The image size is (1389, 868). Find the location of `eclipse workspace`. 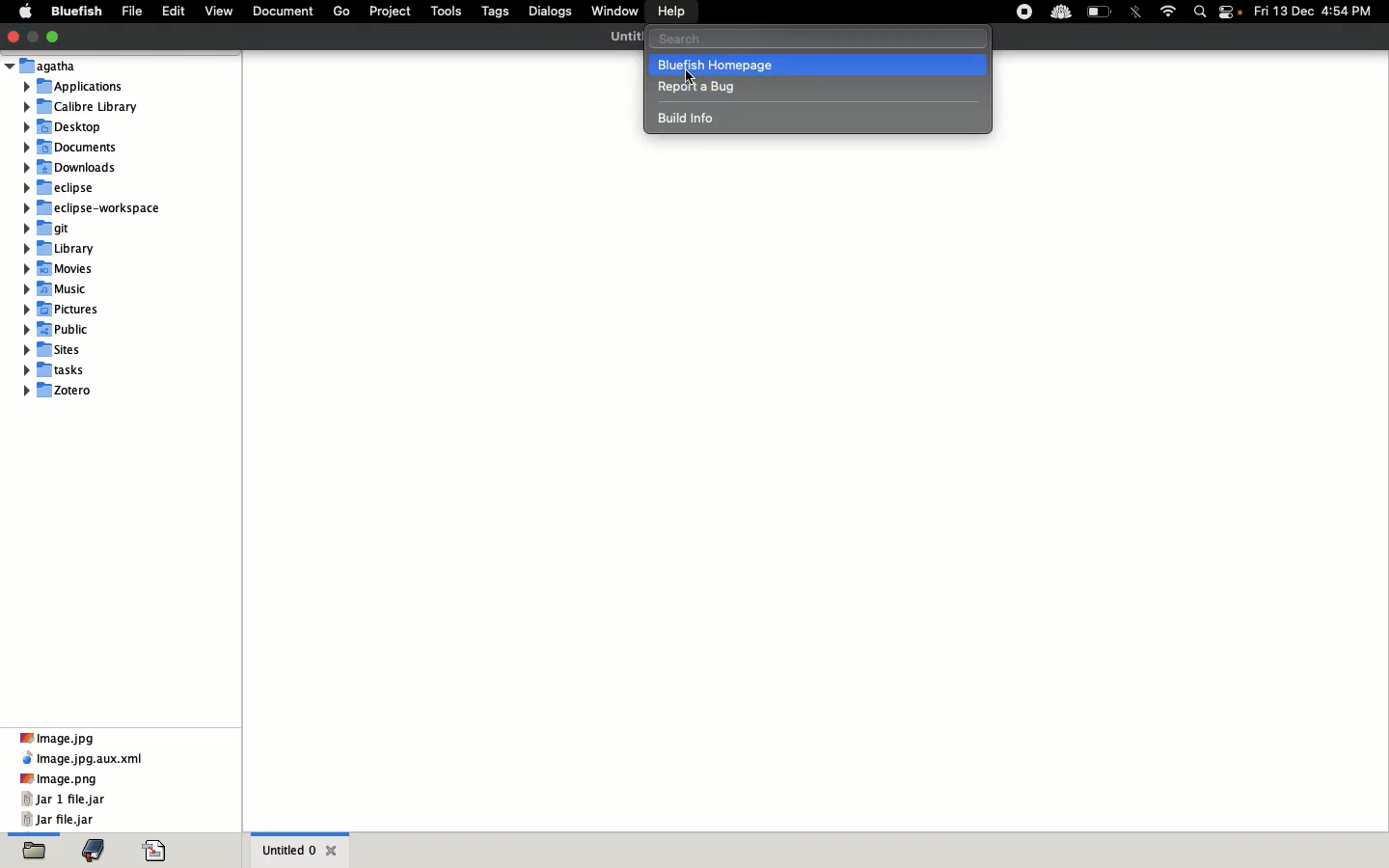

eclipse workspace is located at coordinates (87, 209).